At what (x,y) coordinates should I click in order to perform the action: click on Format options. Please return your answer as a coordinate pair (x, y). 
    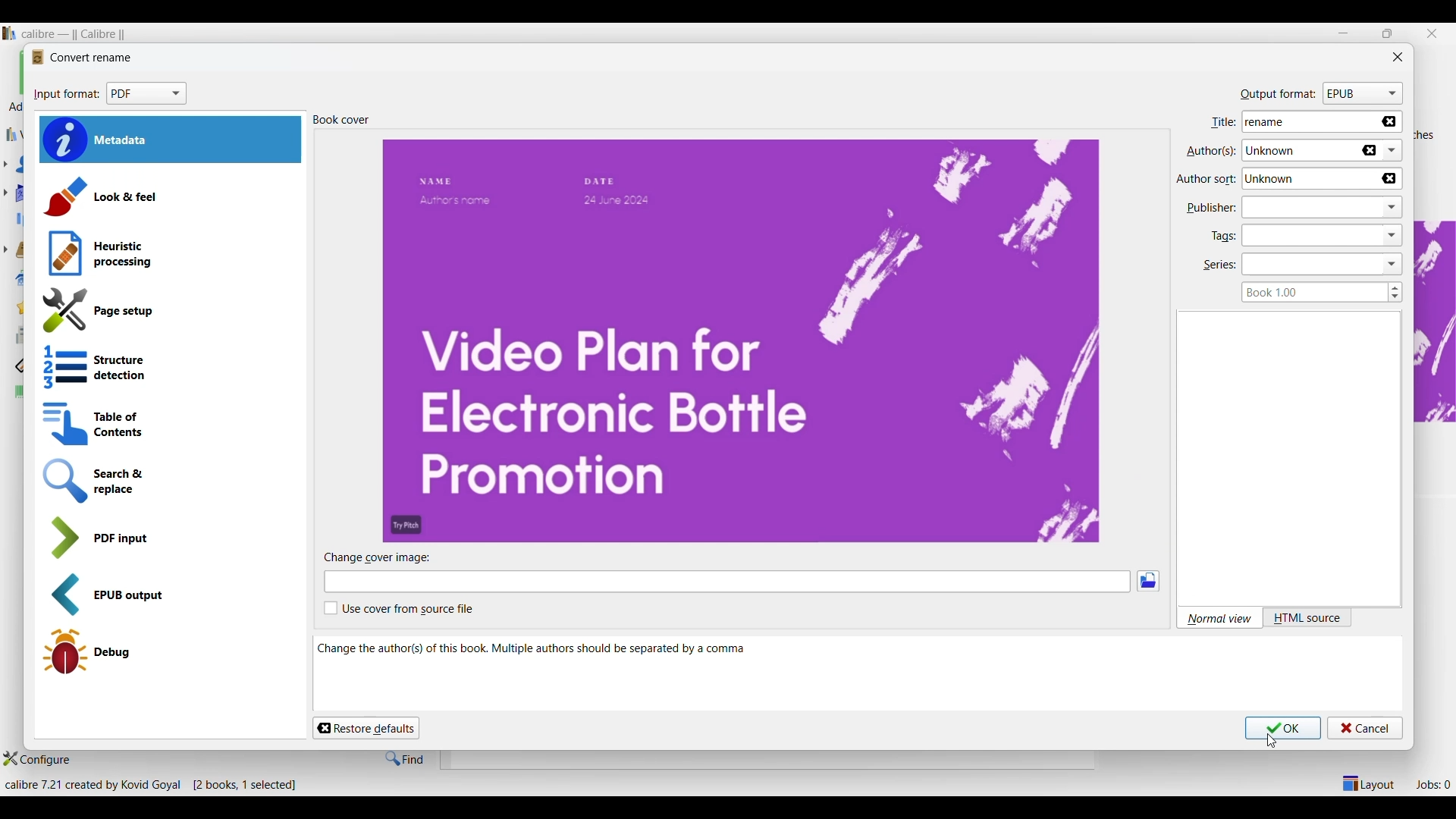
    Looking at the image, I should click on (148, 94).